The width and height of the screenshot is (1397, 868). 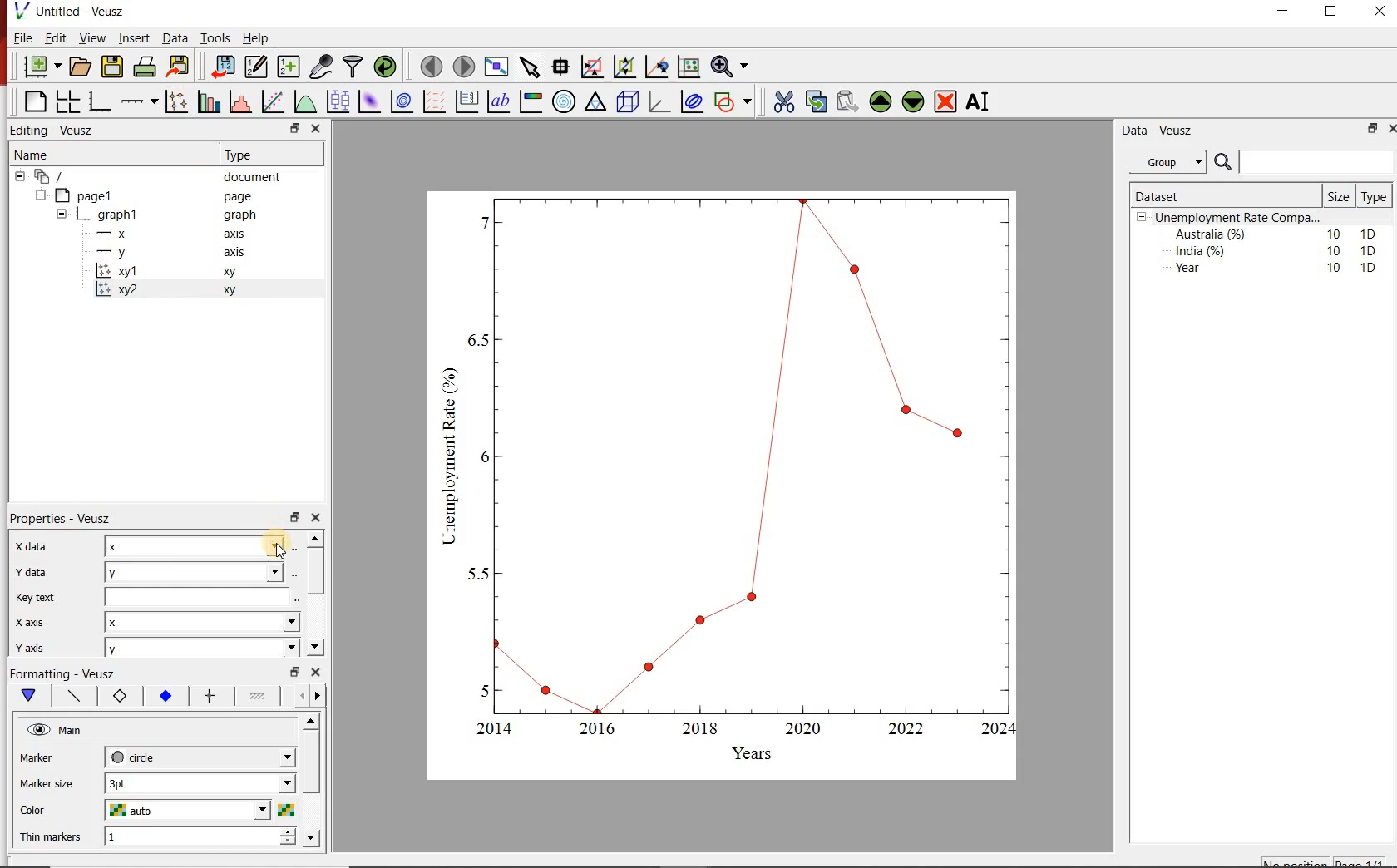 I want to click on collpase, so click(x=1142, y=218).